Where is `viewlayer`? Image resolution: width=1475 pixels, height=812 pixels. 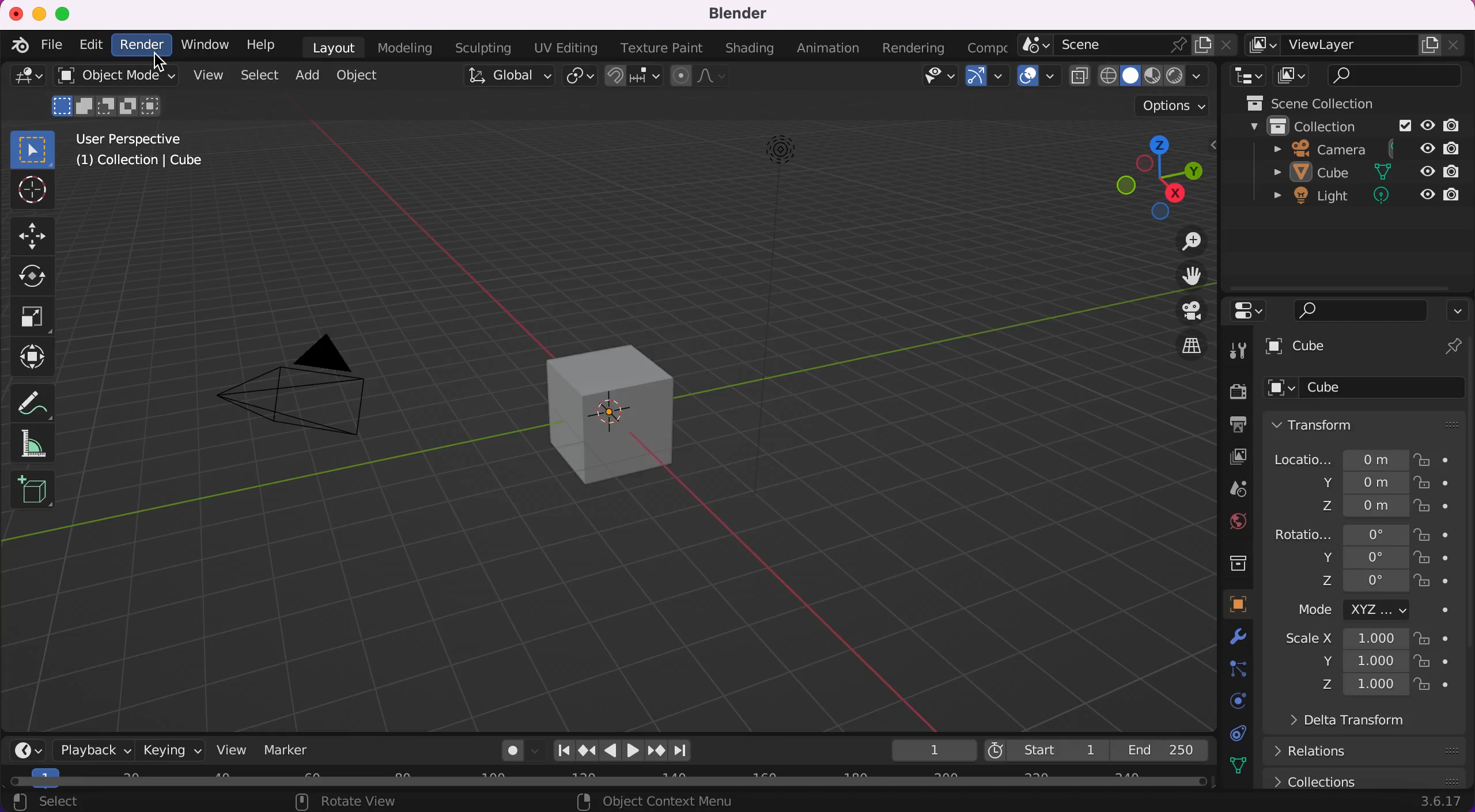 viewlayer is located at coordinates (1356, 48).